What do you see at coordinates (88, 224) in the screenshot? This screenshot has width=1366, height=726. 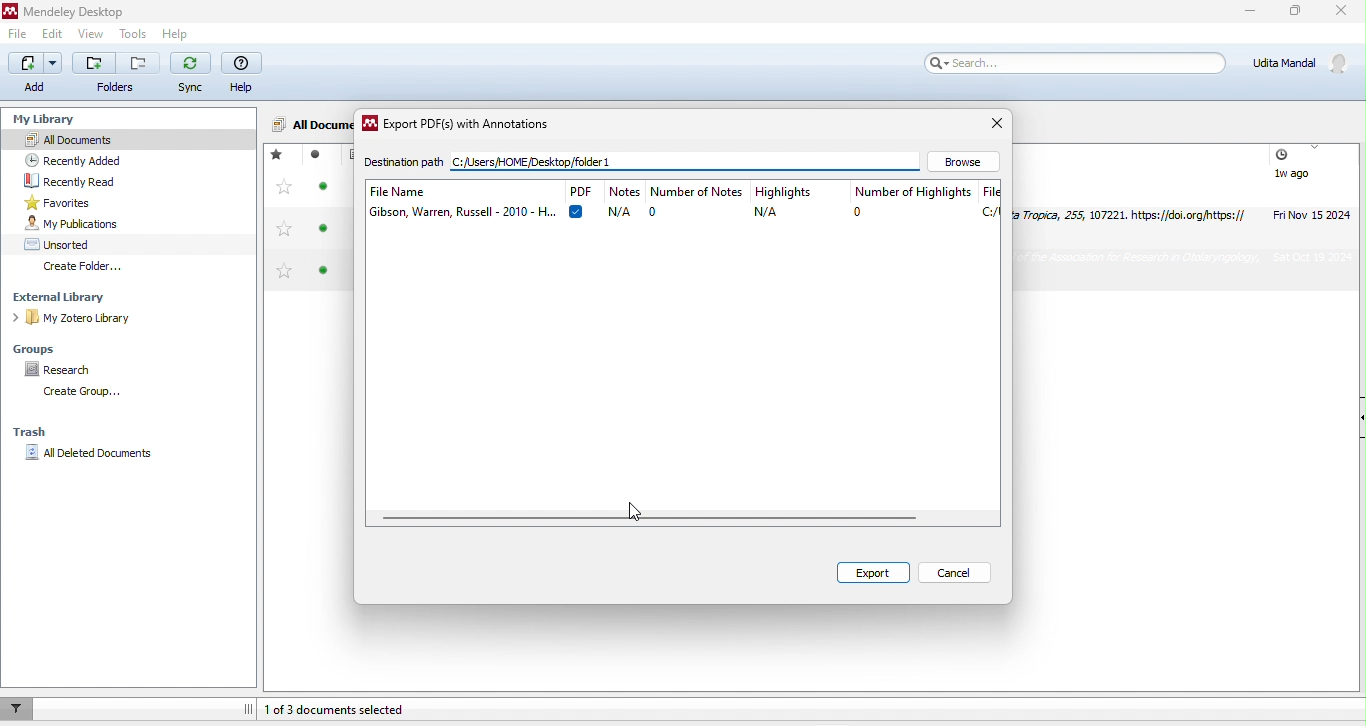 I see `my publications` at bounding box center [88, 224].